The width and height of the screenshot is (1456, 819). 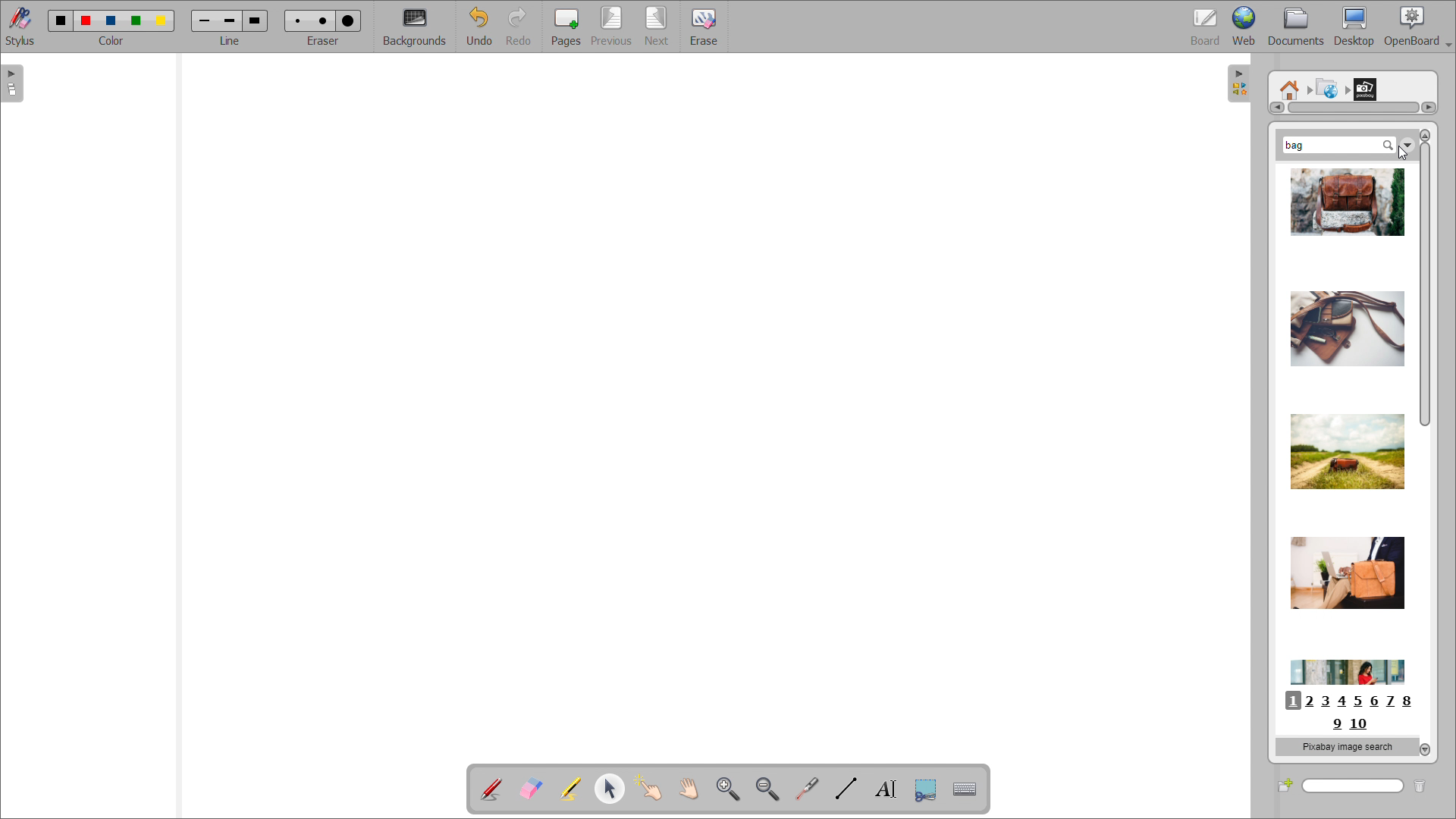 What do you see at coordinates (1325, 86) in the screenshot?
I see `Web search` at bounding box center [1325, 86].